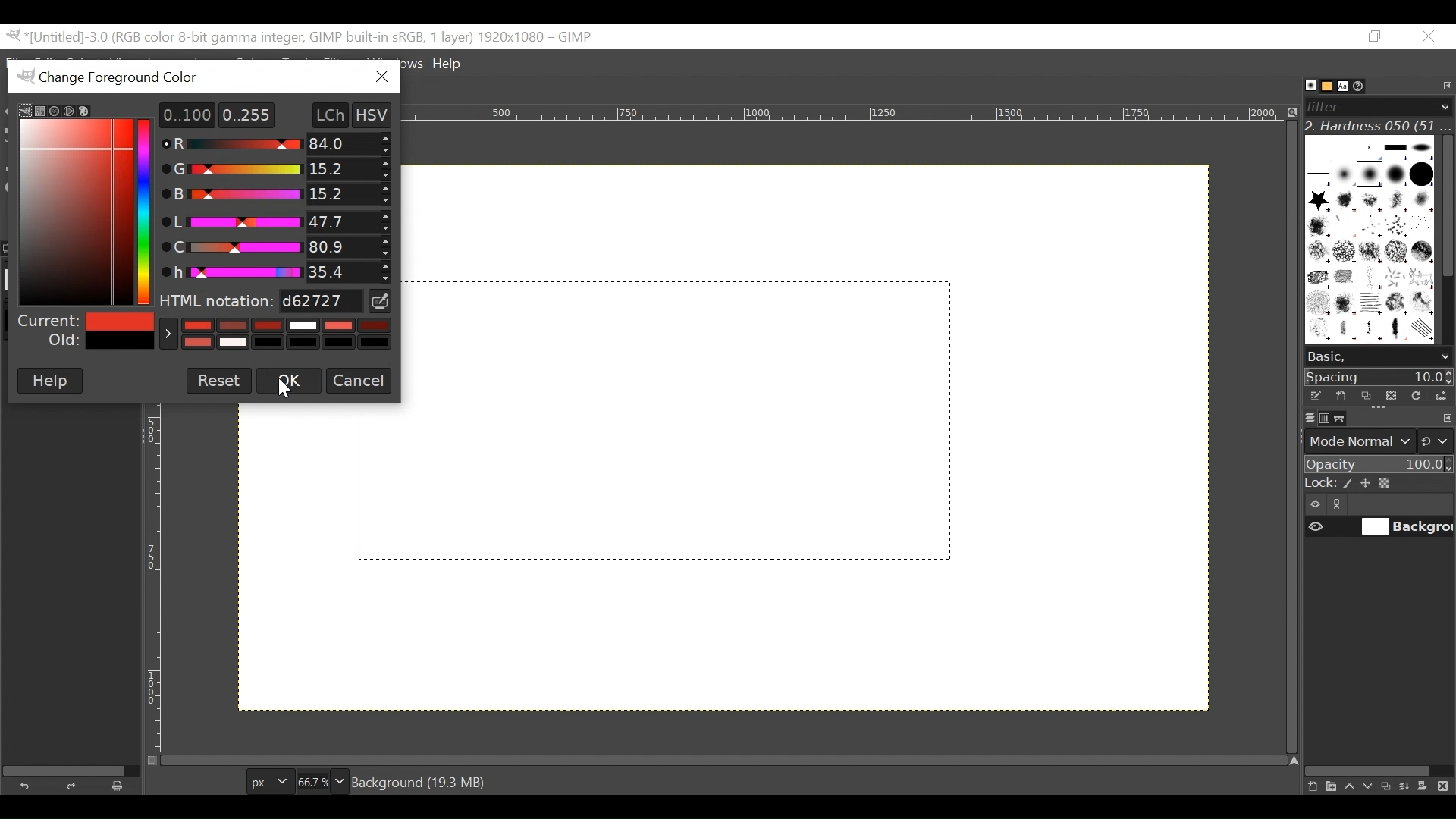 The image size is (1456, 819). What do you see at coordinates (1378, 37) in the screenshot?
I see `Restore` at bounding box center [1378, 37].